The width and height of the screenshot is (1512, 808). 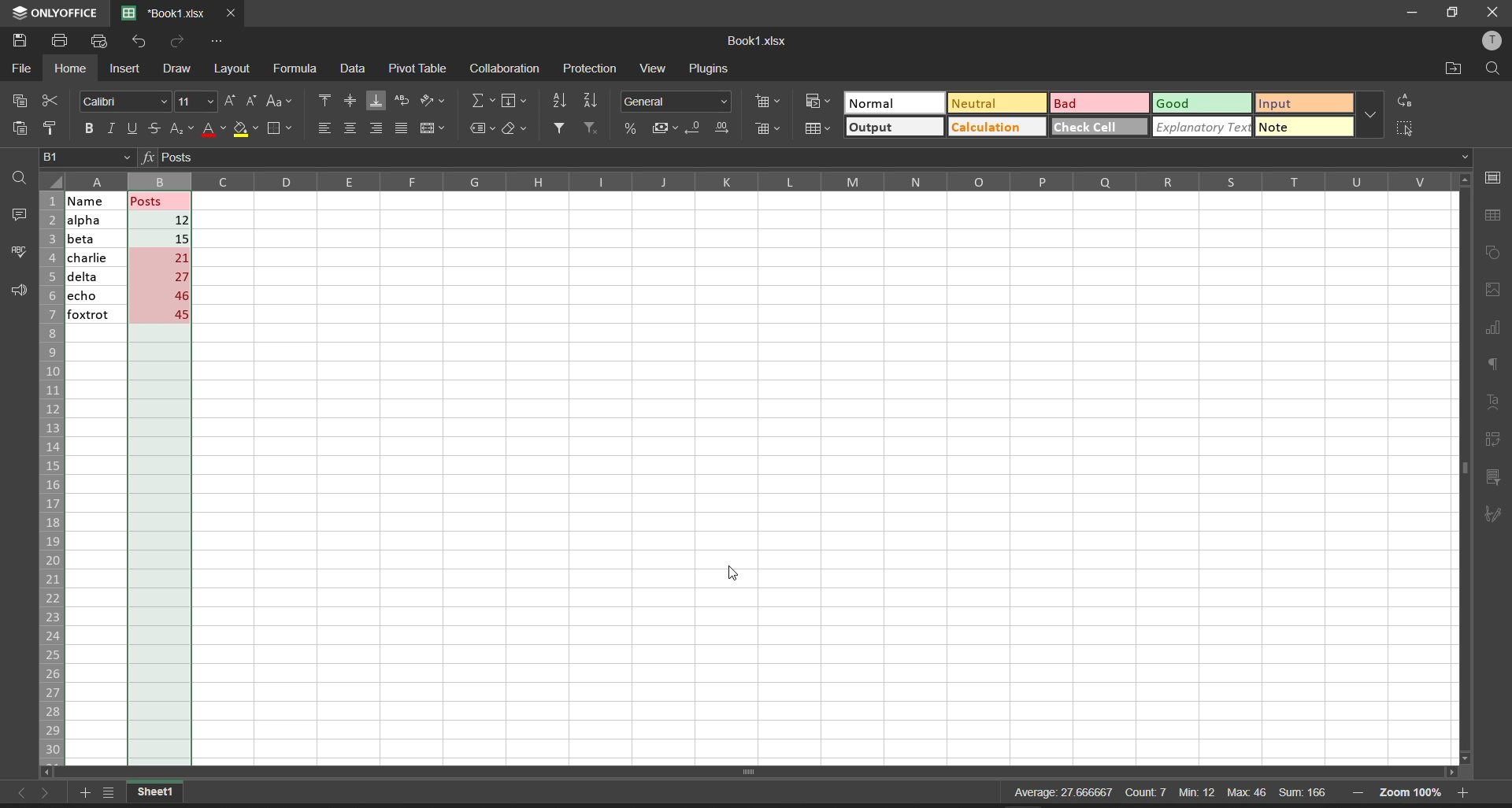 What do you see at coordinates (88, 157) in the screenshot?
I see `cell address` at bounding box center [88, 157].